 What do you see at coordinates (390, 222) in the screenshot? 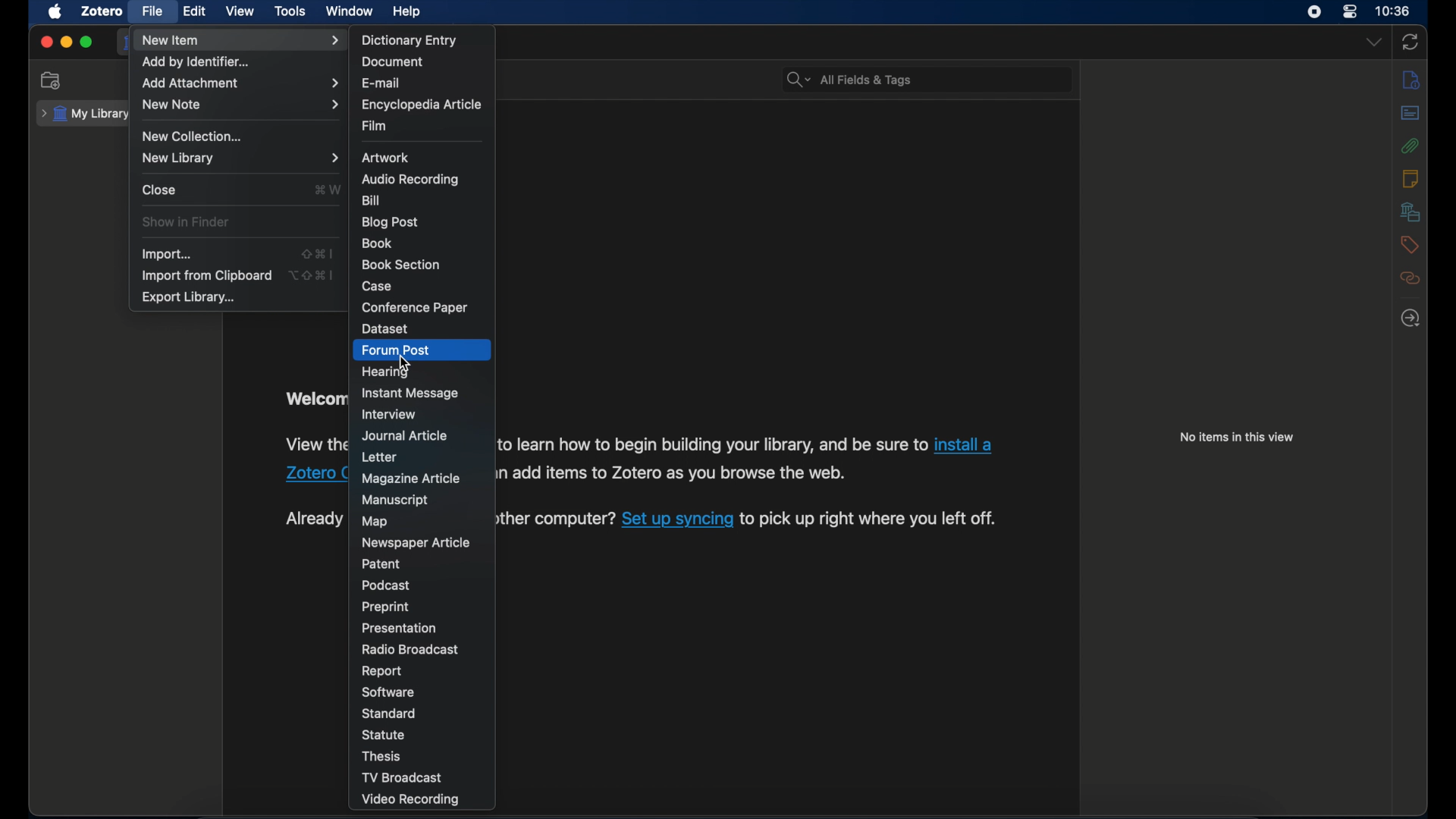
I see `blog post` at bounding box center [390, 222].